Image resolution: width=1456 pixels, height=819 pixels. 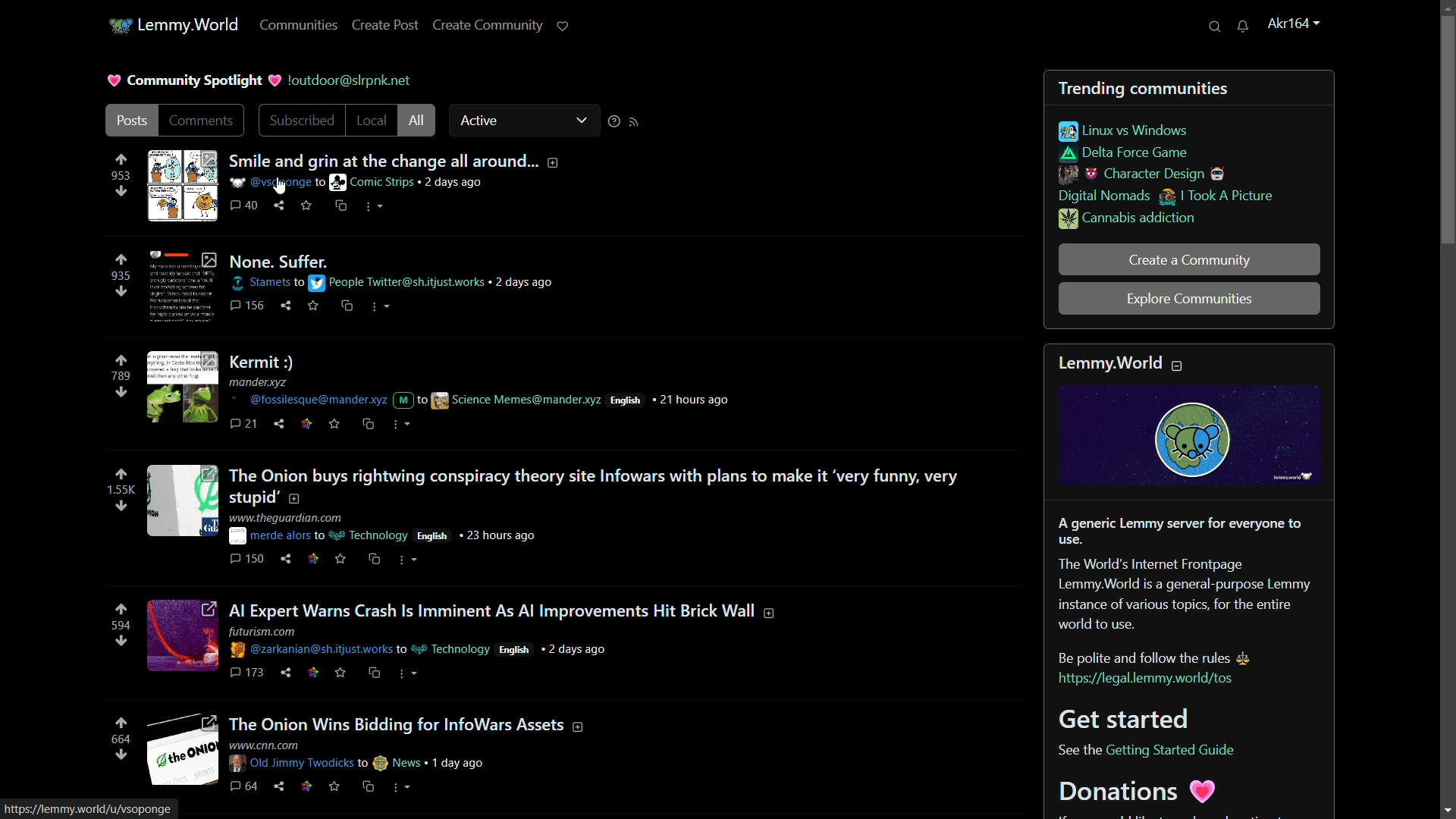 I want to click on more, so click(x=411, y=673).